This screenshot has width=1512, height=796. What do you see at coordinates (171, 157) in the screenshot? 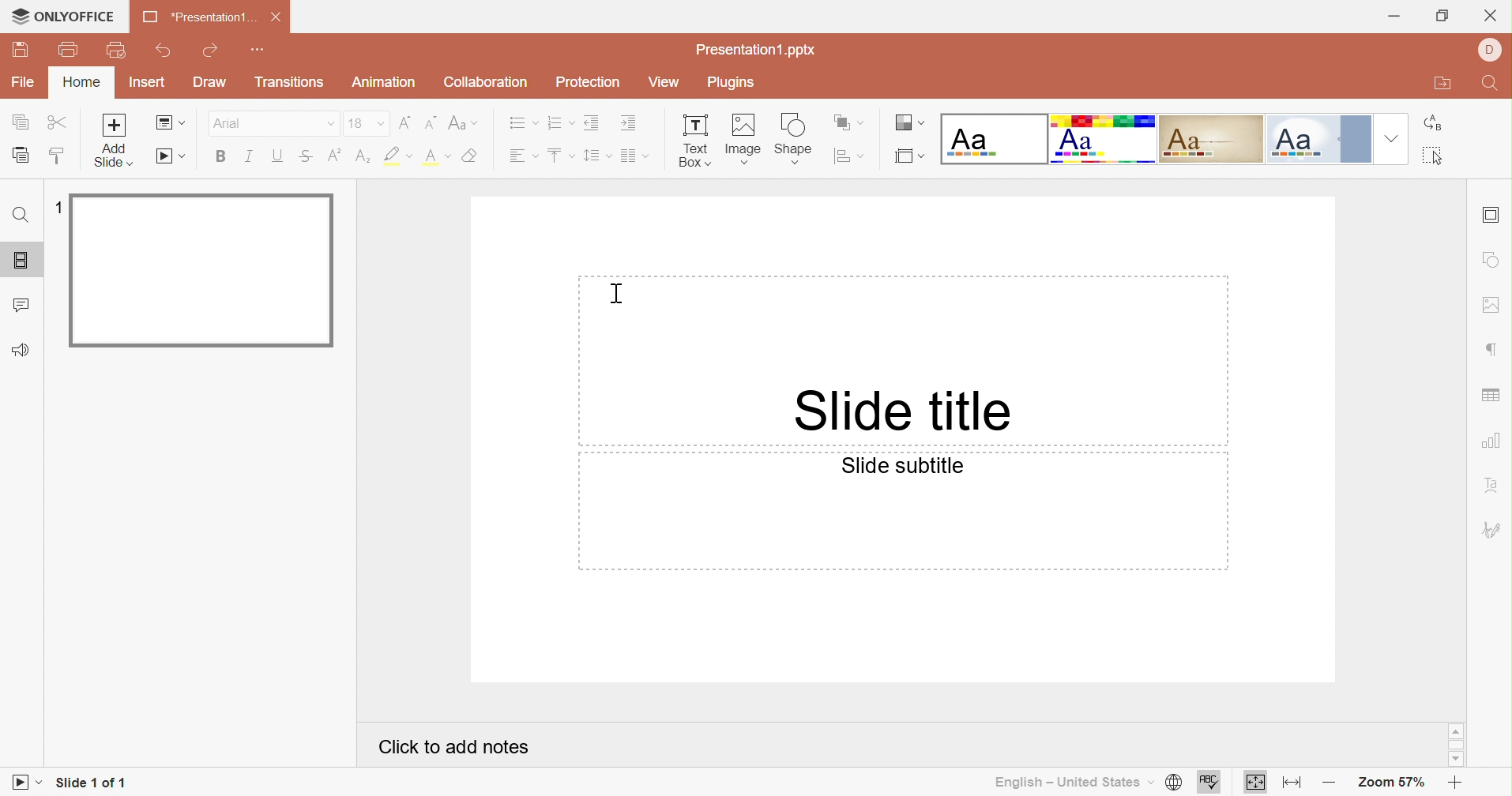
I see `Start slideshow` at bounding box center [171, 157].